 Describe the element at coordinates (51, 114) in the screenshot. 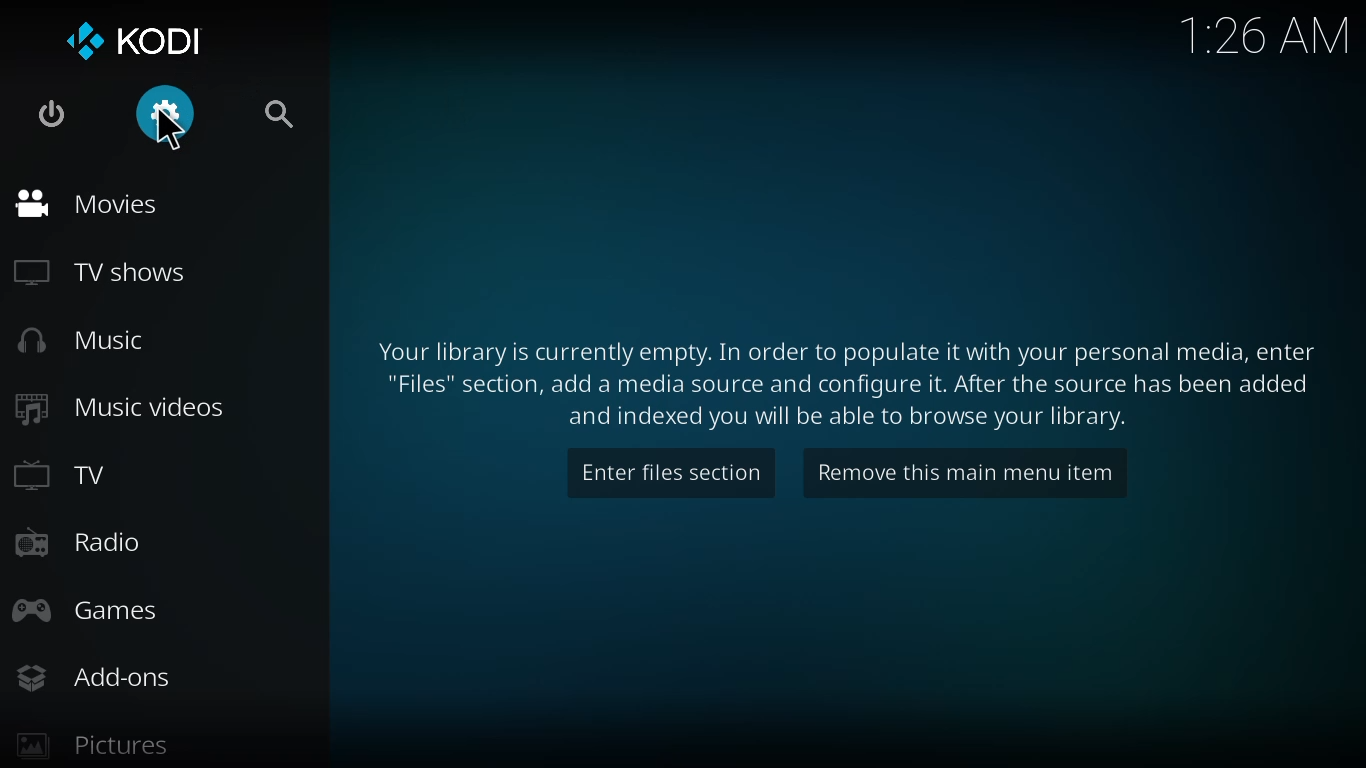

I see `power` at that location.